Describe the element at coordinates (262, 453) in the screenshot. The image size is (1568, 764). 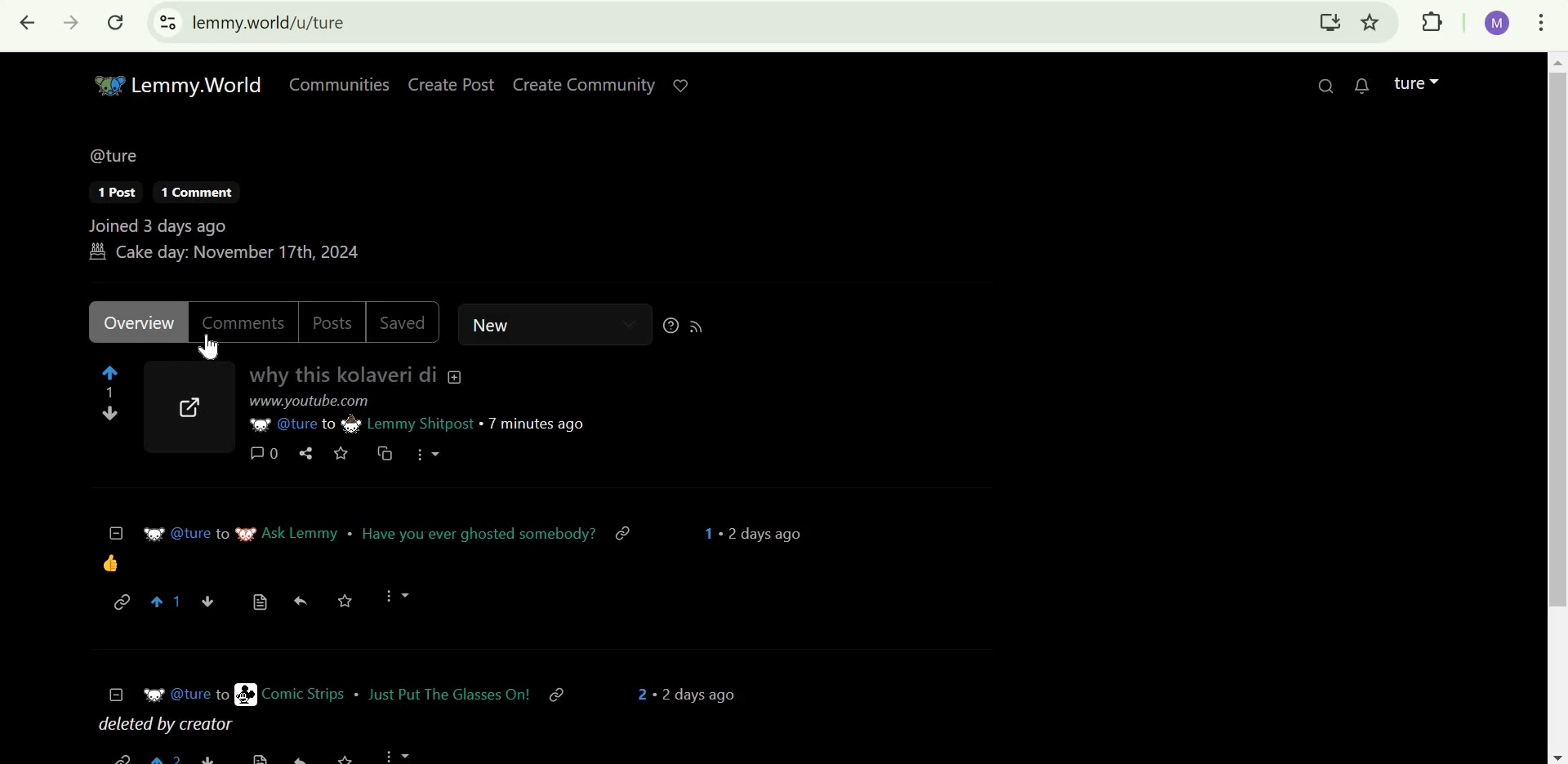
I see `0 comments` at that location.